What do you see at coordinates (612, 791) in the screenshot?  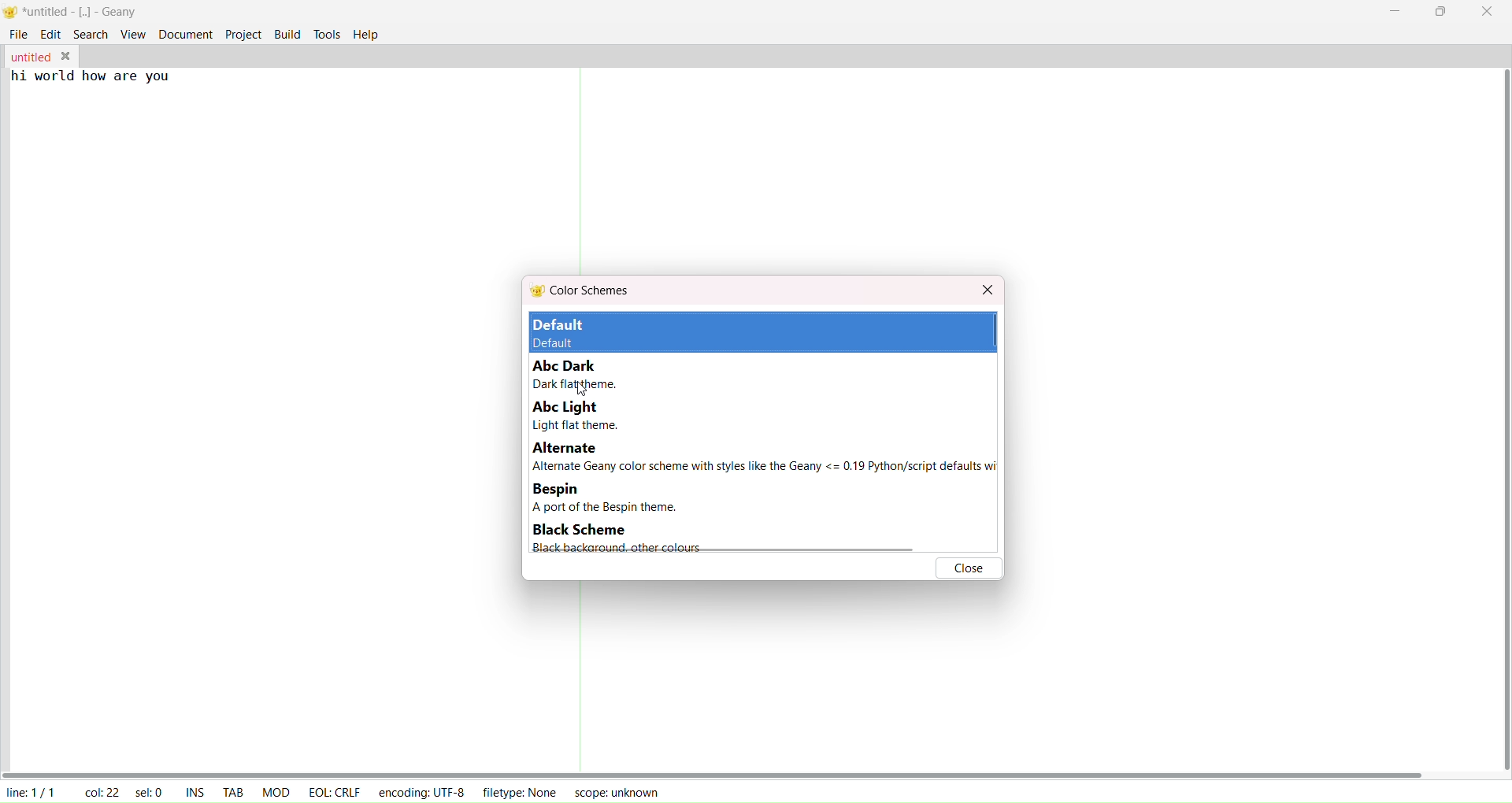 I see `scope unknown` at bounding box center [612, 791].